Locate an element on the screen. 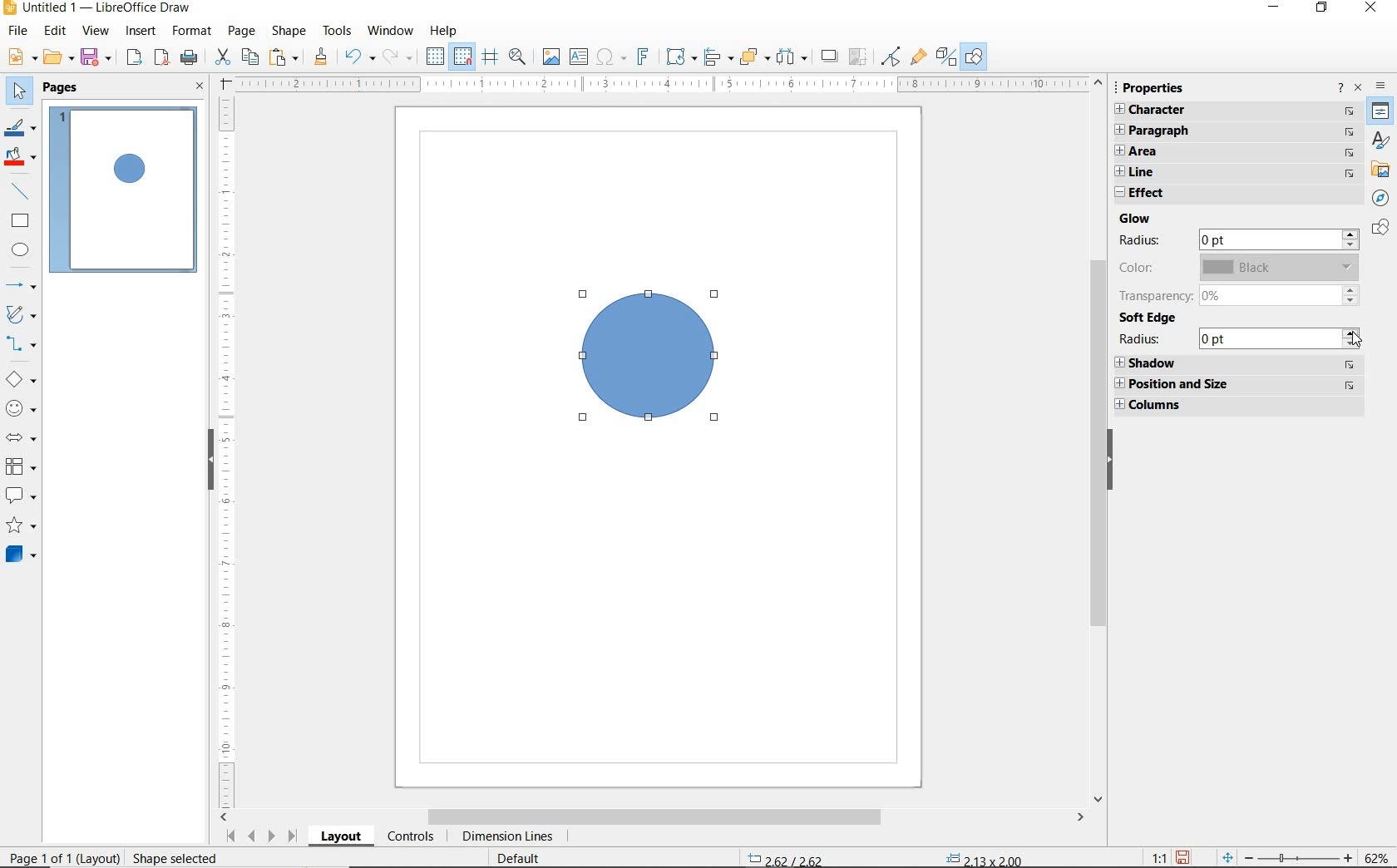  EDIT is located at coordinates (57, 31).